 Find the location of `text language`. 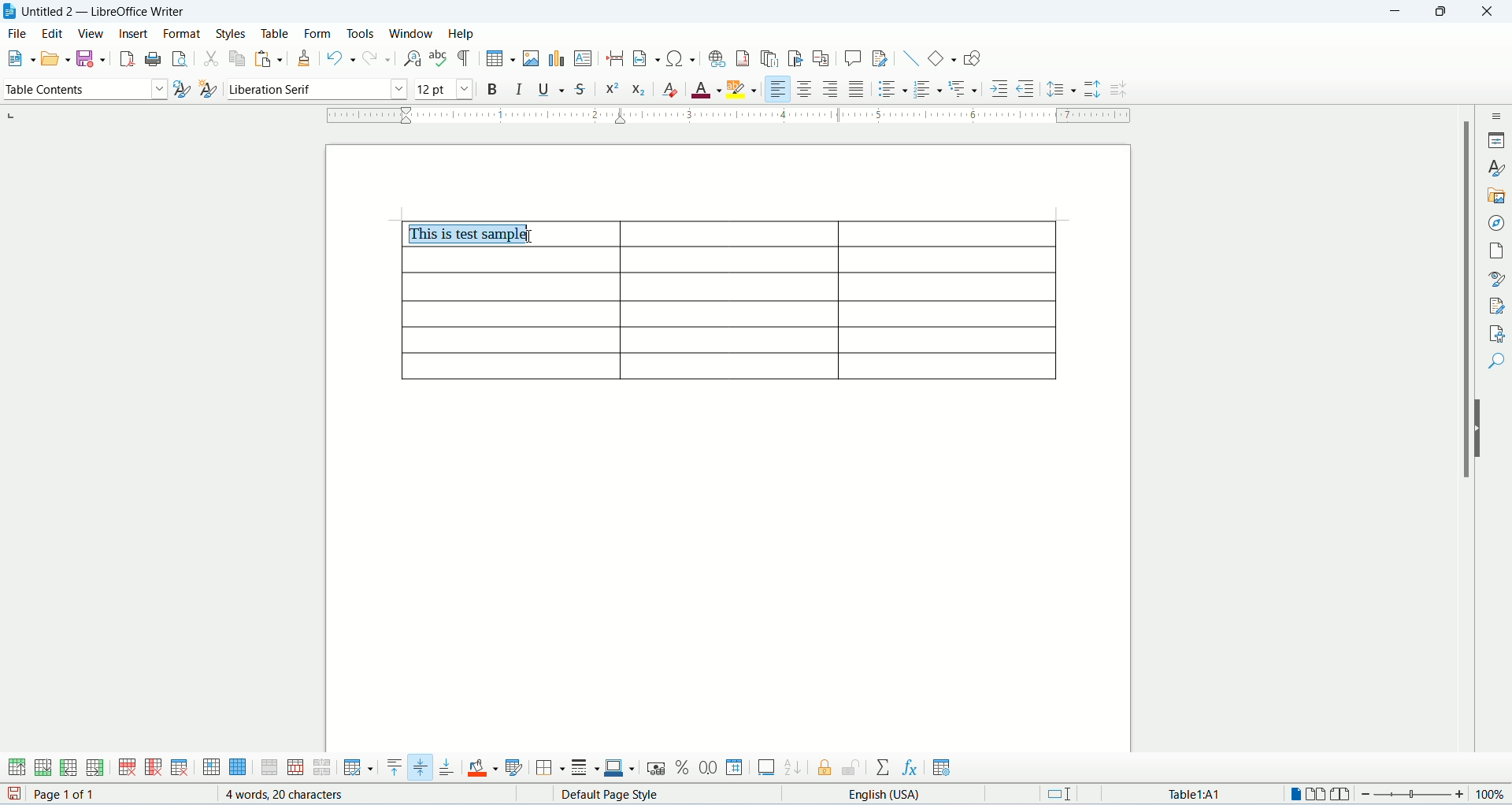

text language is located at coordinates (891, 795).